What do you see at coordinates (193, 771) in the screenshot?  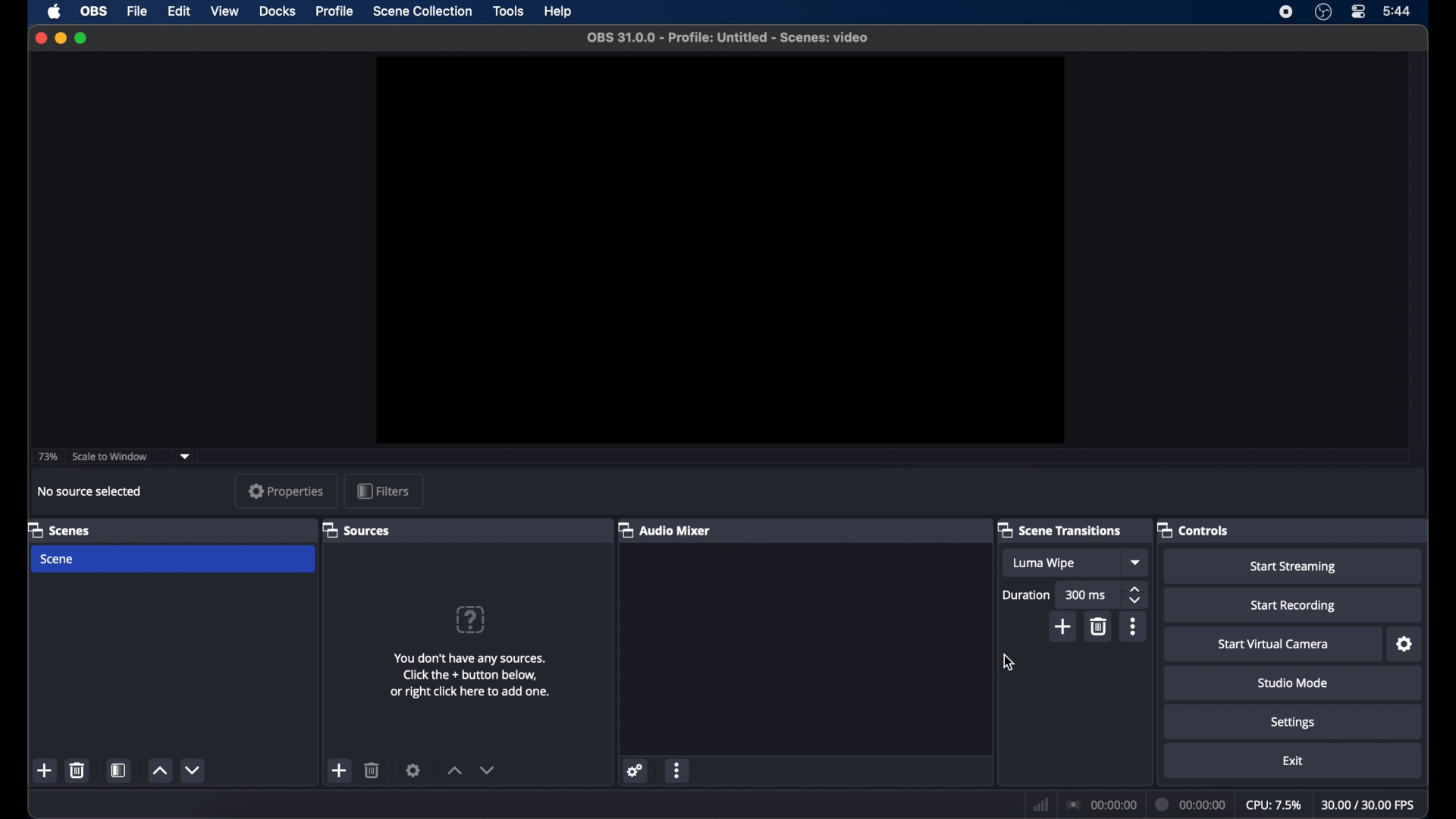 I see `decrement` at bounding box center [193, 771].